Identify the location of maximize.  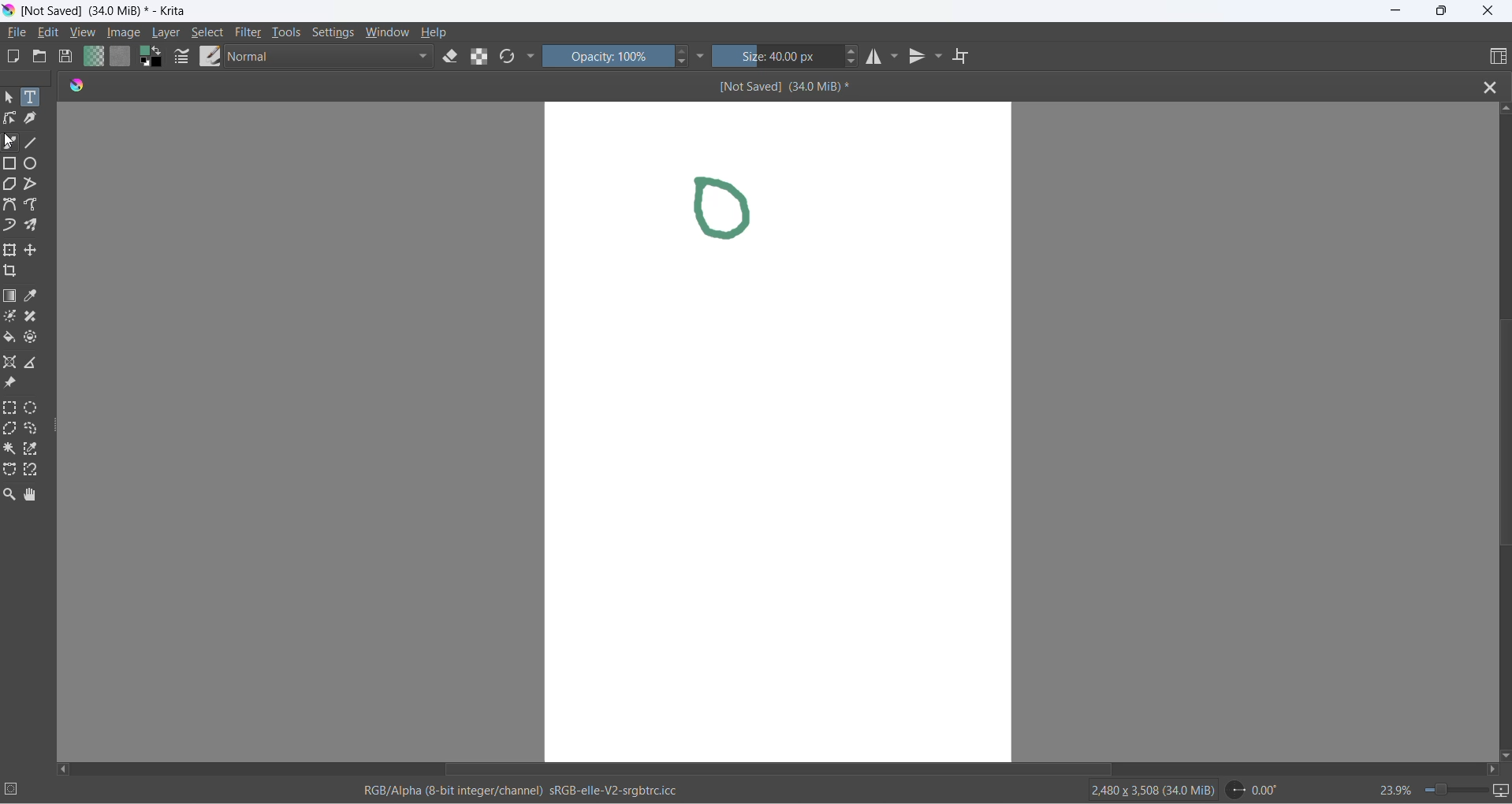
(1438, 11).